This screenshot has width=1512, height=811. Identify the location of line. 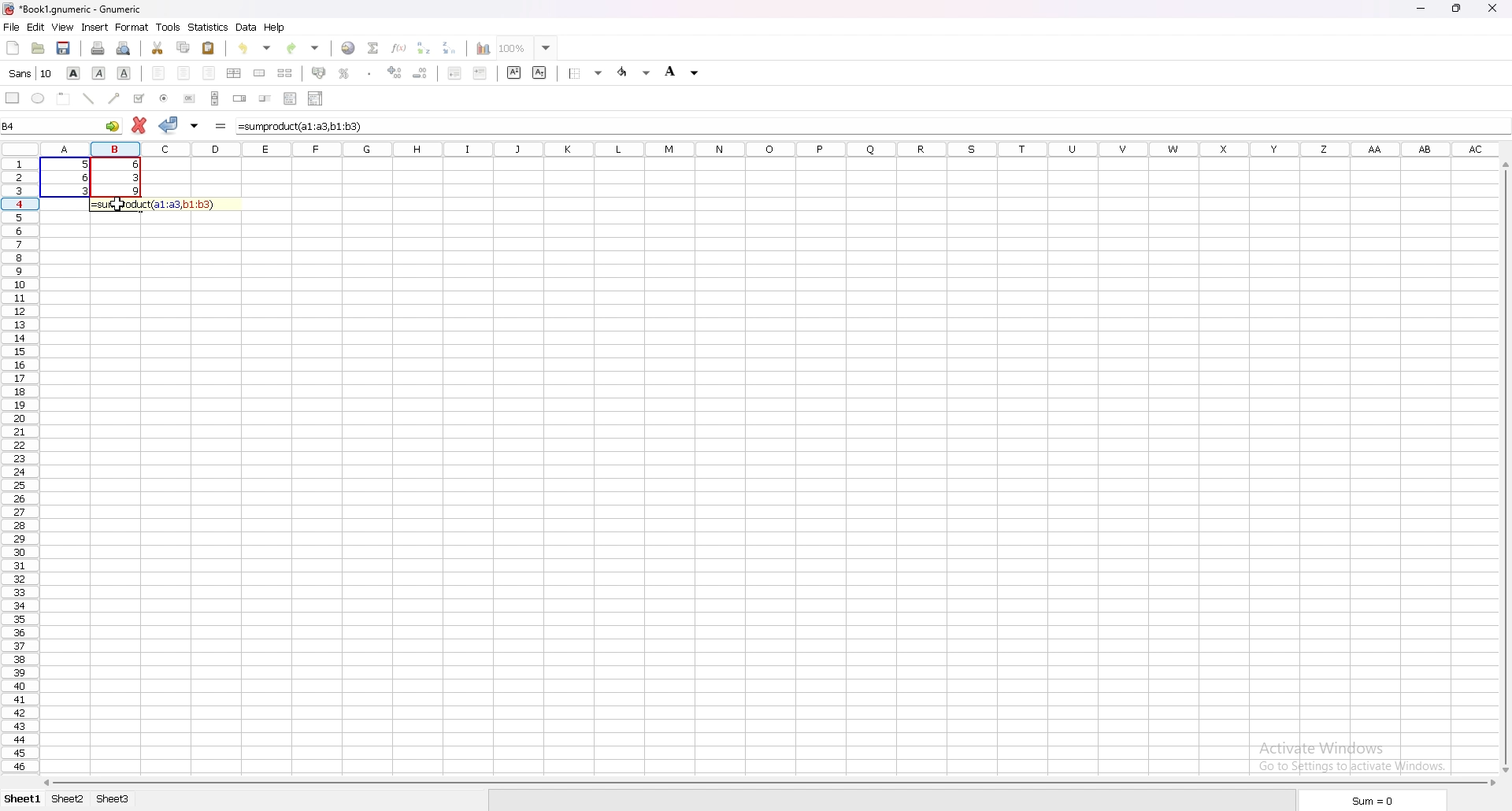
(87, 98).